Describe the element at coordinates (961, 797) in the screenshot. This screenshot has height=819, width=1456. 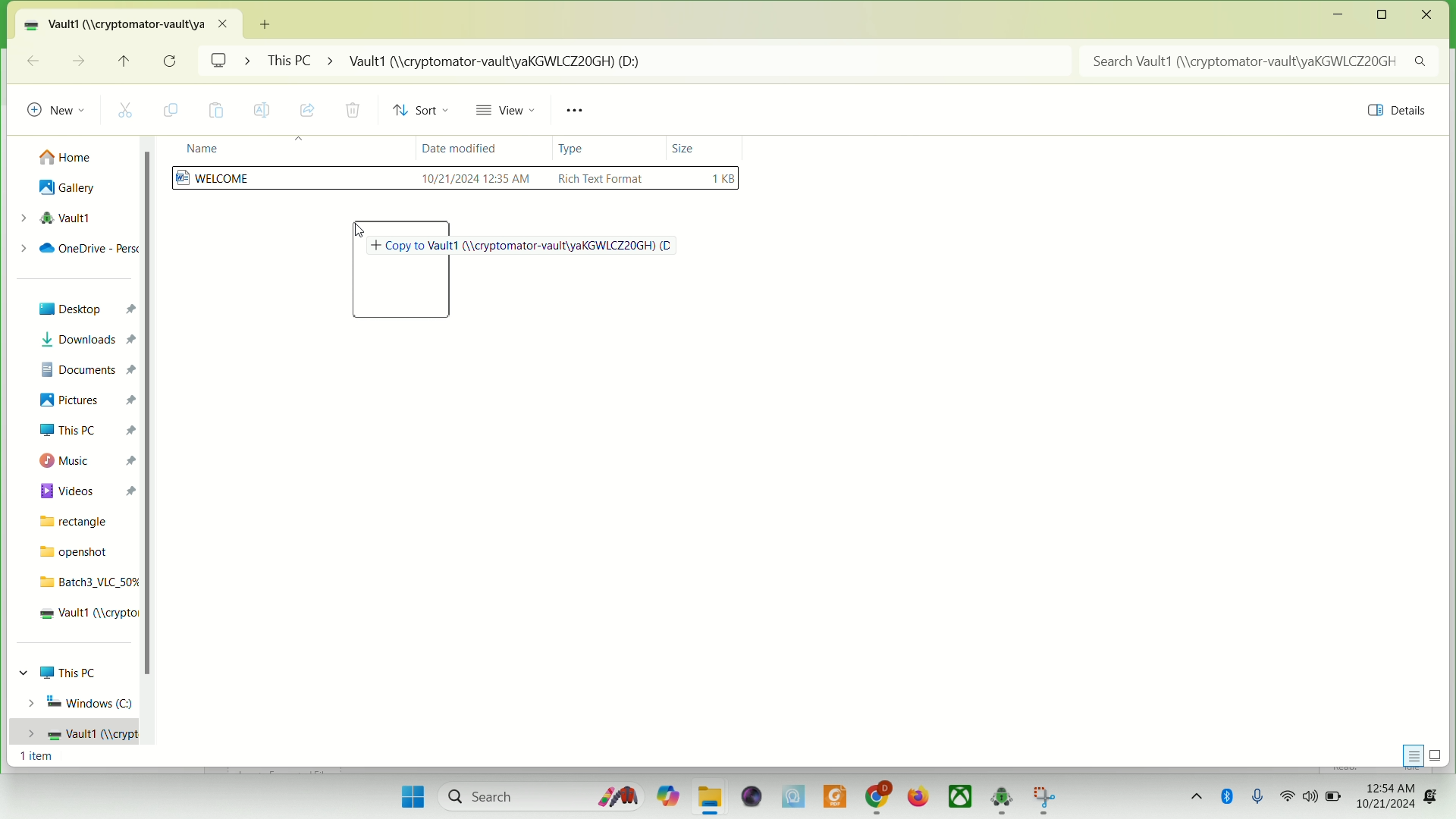
I see `Xbox` at that location.